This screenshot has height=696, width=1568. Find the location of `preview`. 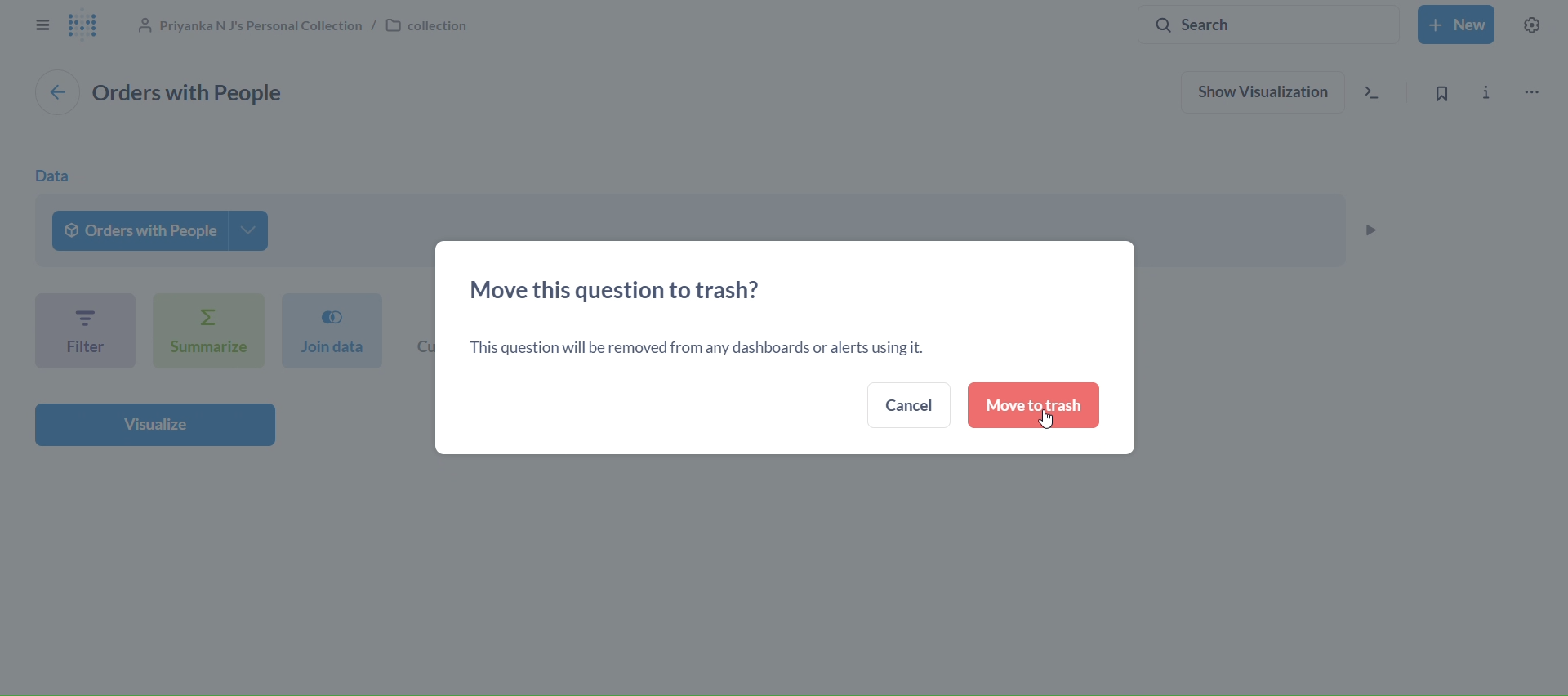

preview is located at coordinates (1373, 228).